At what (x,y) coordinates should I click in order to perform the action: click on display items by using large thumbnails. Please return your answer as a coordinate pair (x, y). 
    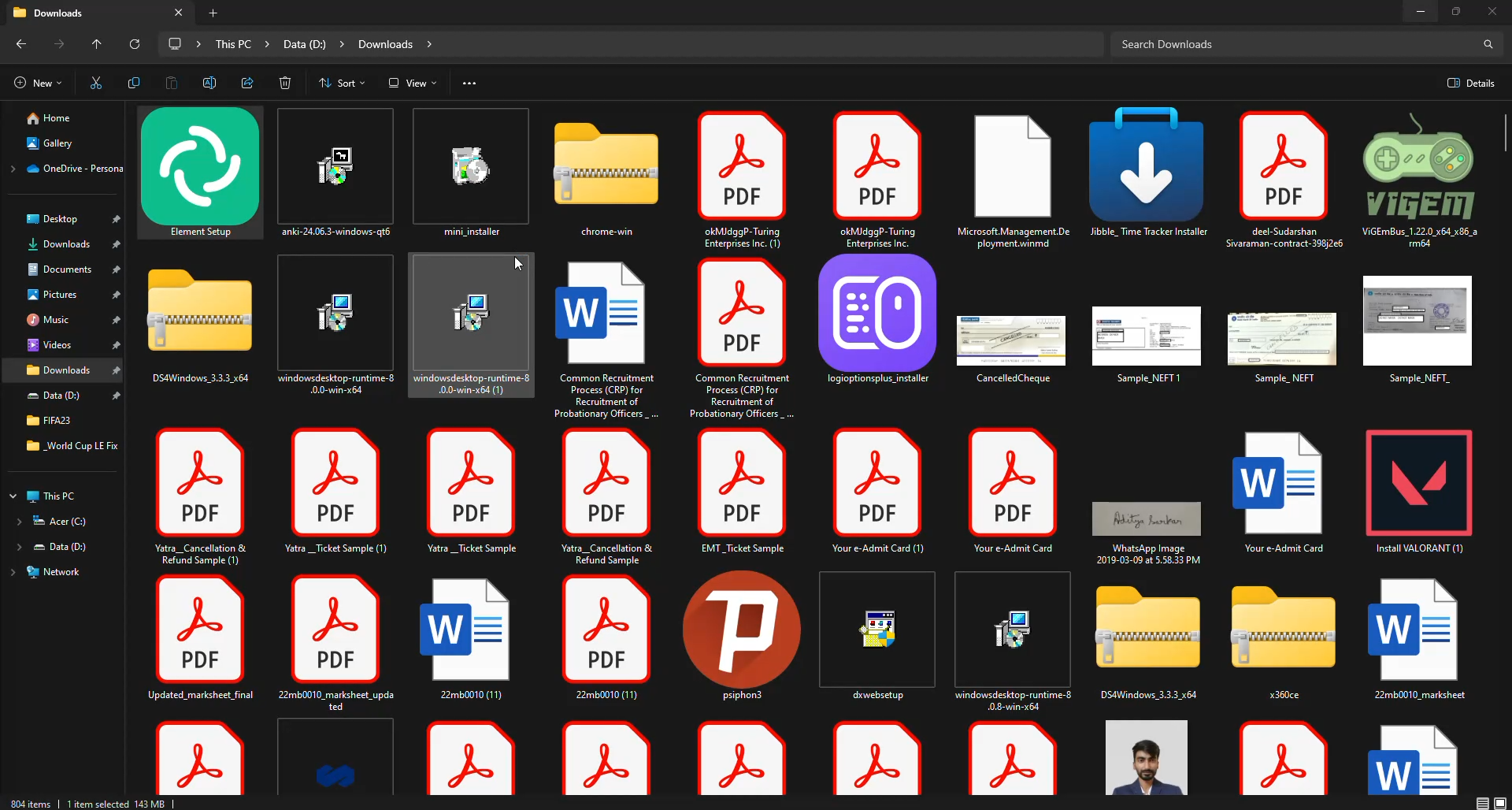
    Looking at the image, I should click on (3892, 2077).